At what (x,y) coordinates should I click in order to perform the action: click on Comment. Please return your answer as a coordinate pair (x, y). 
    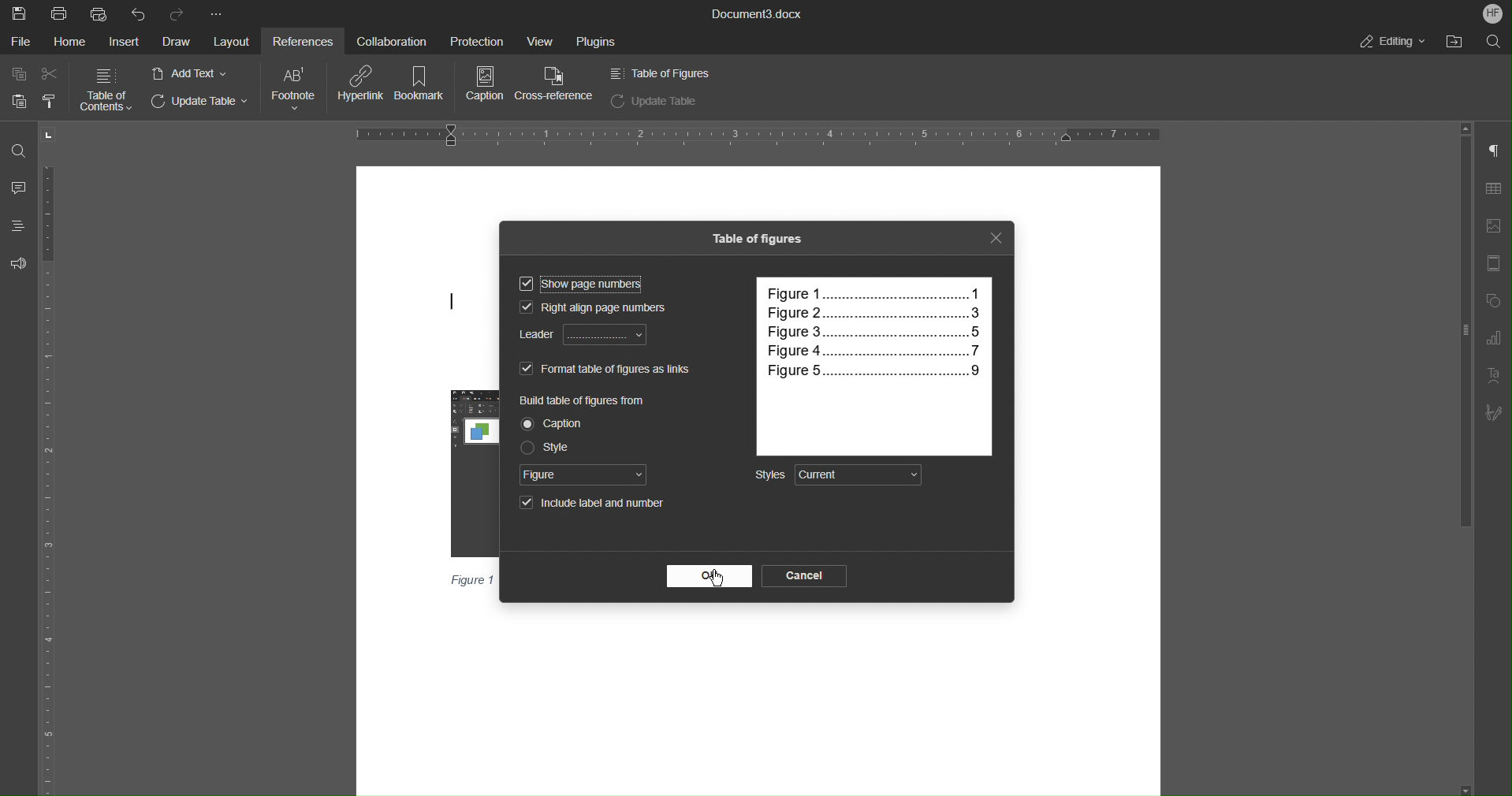
    Looking at the image, I should click on (18, 186).